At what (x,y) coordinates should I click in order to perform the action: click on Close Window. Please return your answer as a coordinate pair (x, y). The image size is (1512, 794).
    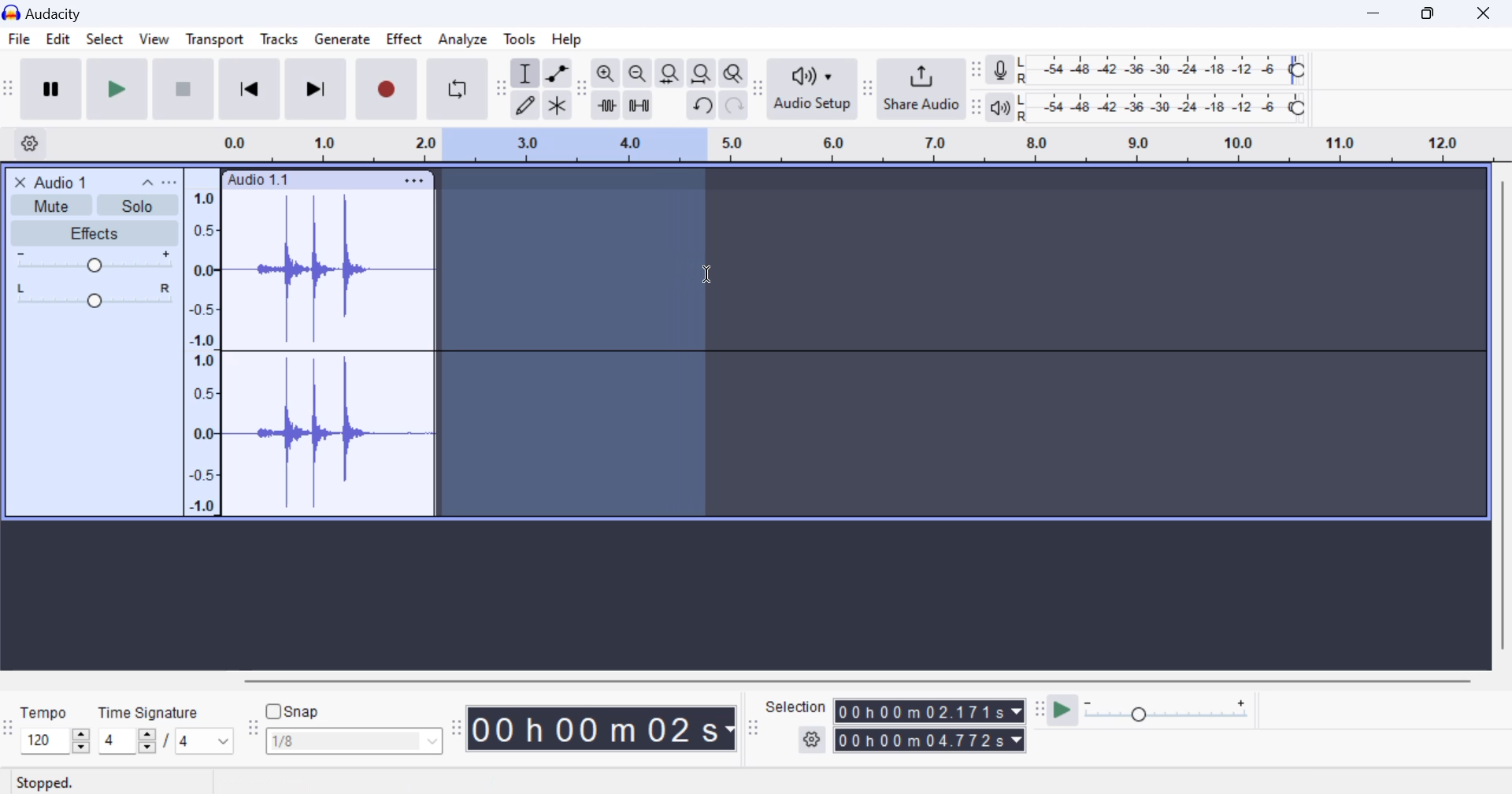
    Looking at the image, I should click on (1488, 11).